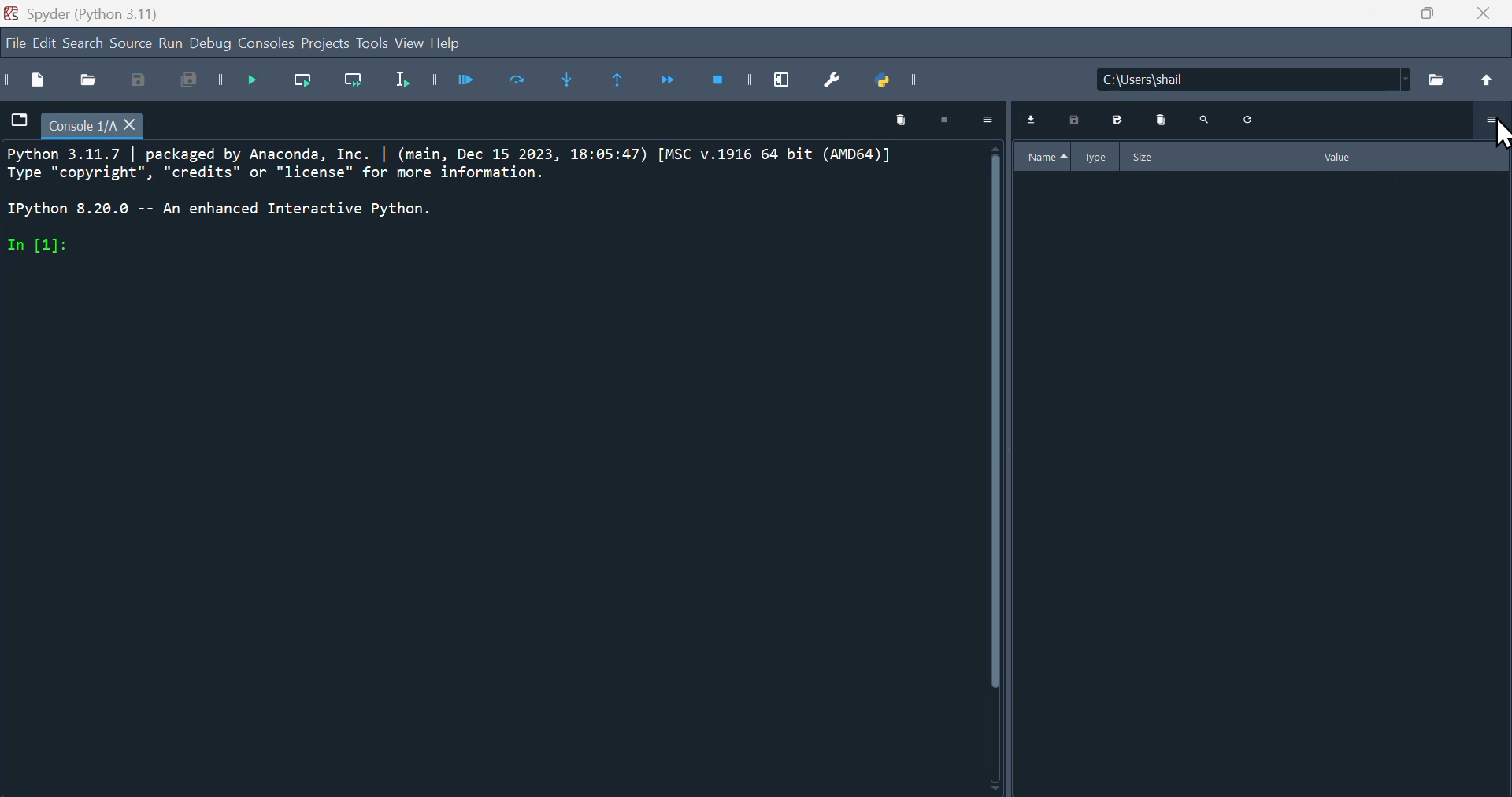 The height and width of the screenshot is (797, 1512). Describe the element at coordinates (46, 43) in the screenshot. I see `Edit` at that location.